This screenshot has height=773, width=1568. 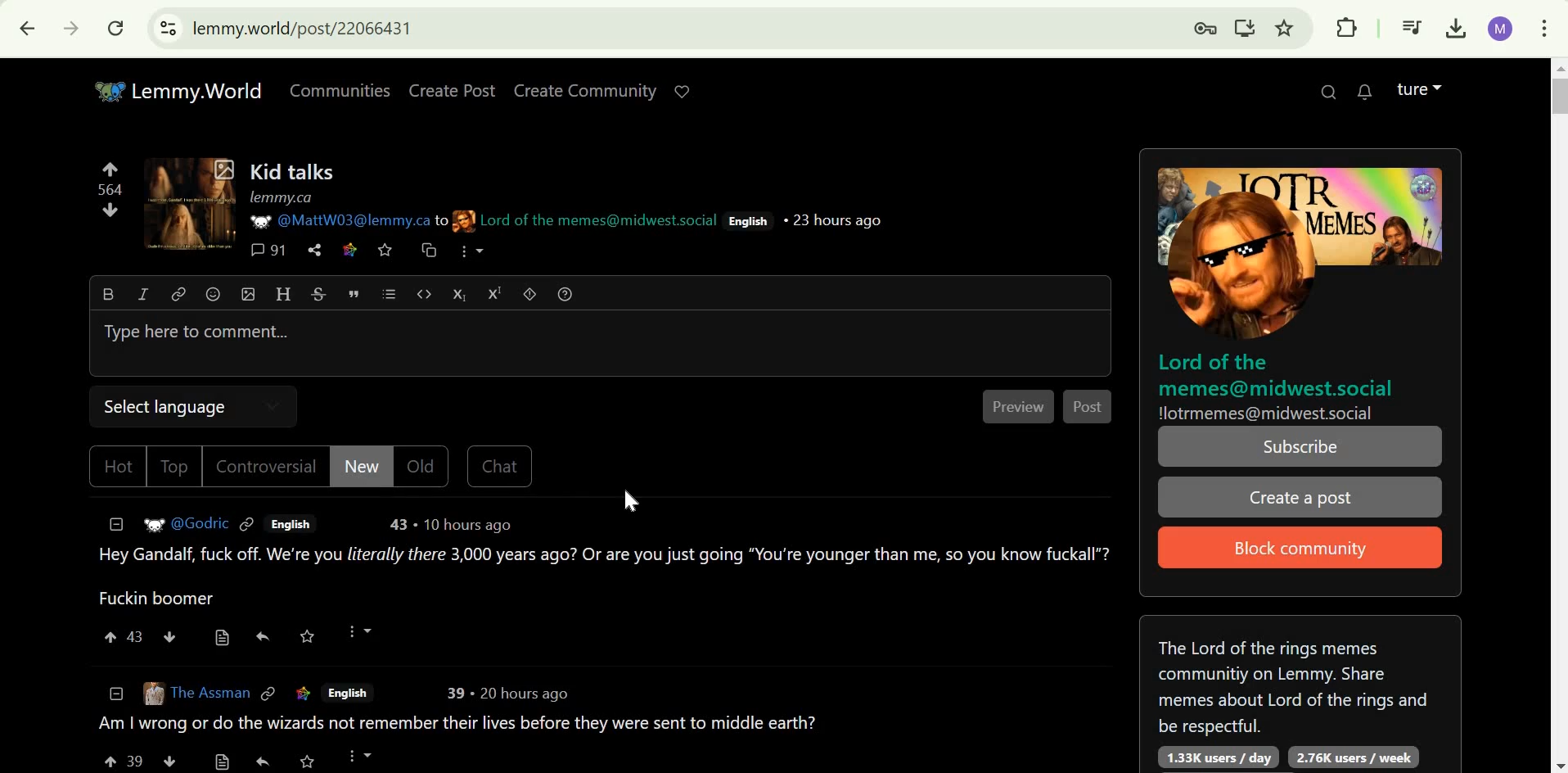 I want to click on upvote, so click(x=110, y=167).